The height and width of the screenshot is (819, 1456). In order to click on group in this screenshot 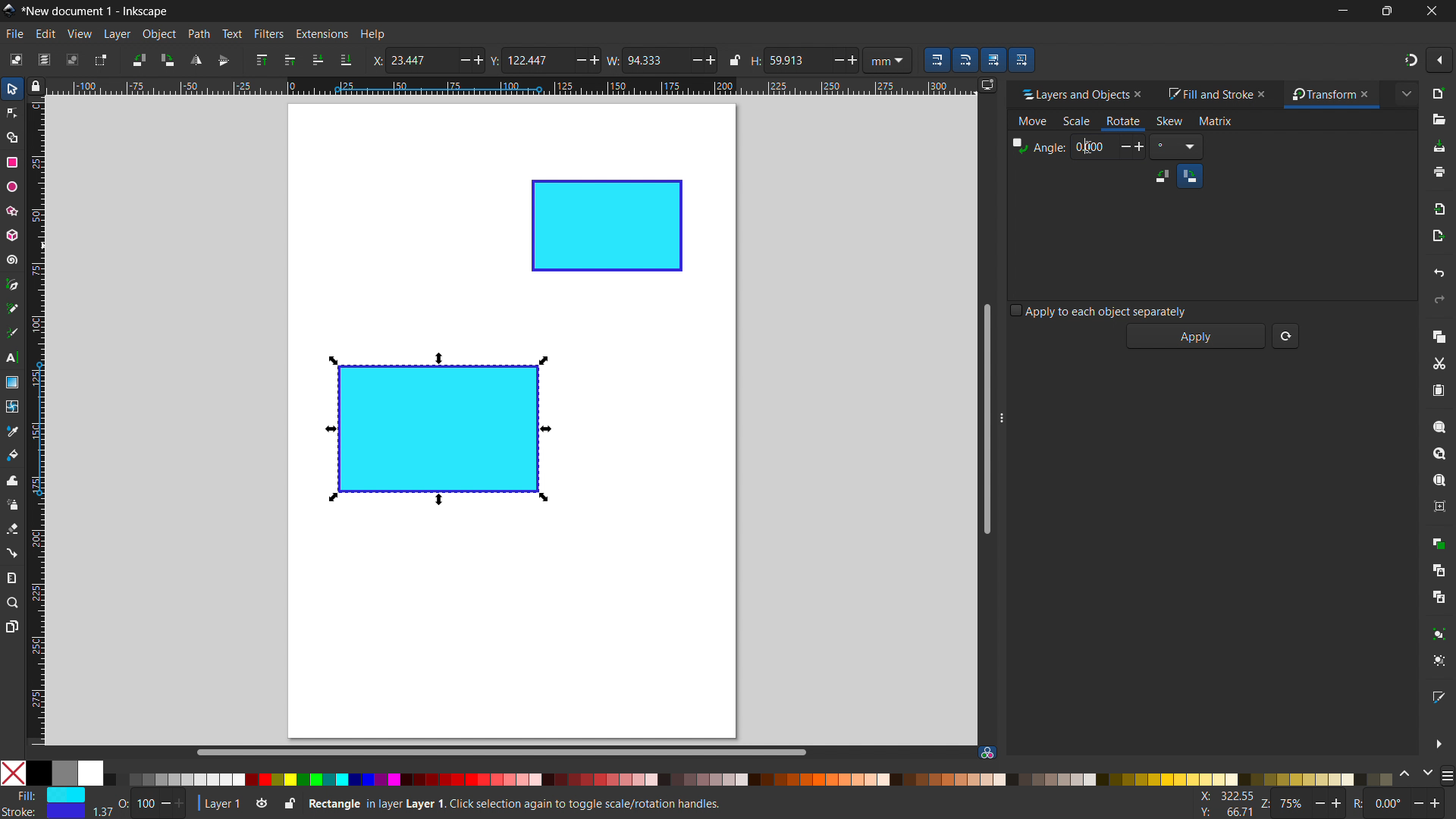, I will do `click(1440, 633)`.